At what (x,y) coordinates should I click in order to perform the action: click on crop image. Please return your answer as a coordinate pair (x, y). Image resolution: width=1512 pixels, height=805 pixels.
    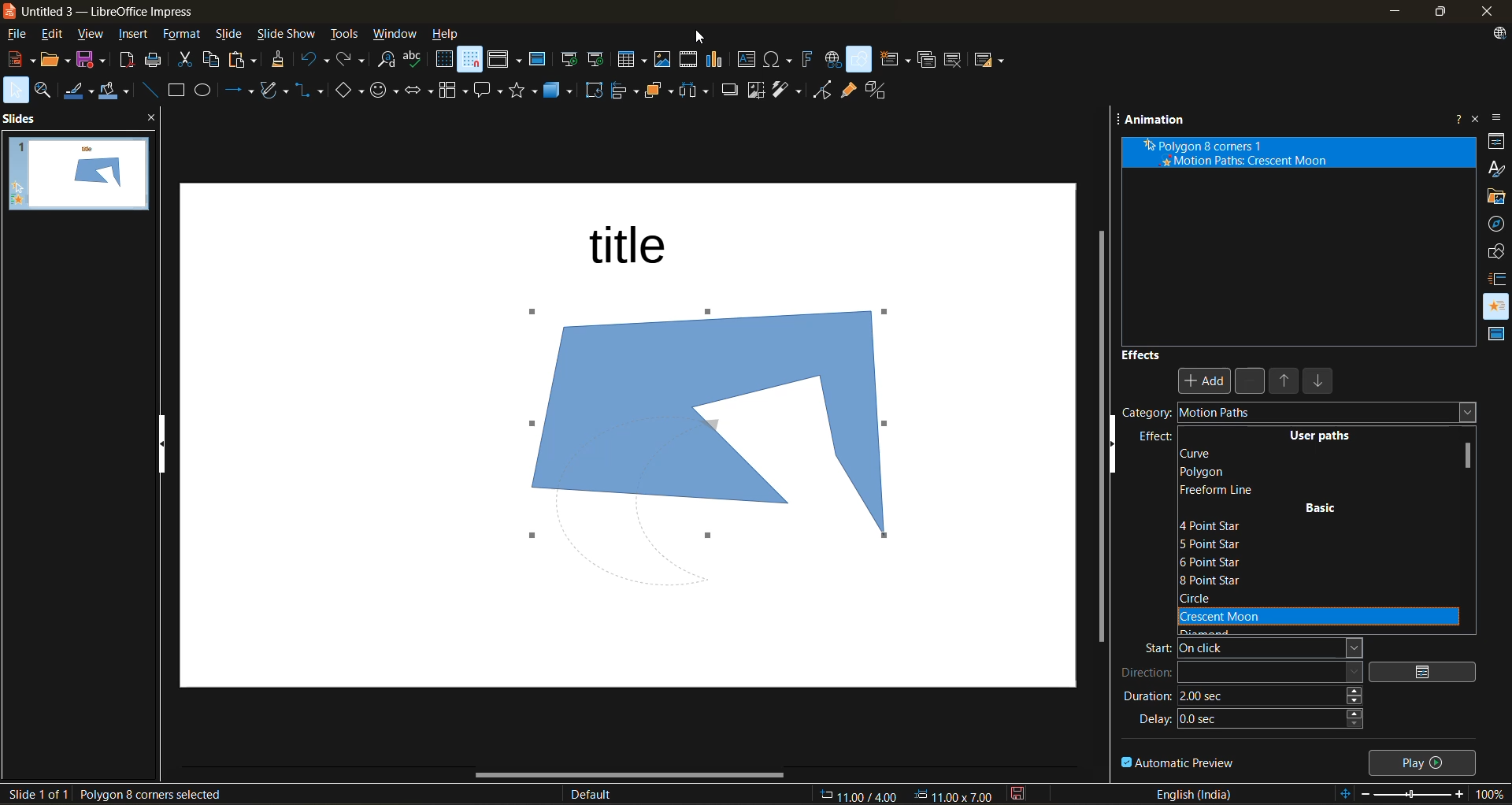
    Looking at the image, I should click on (754, 91).